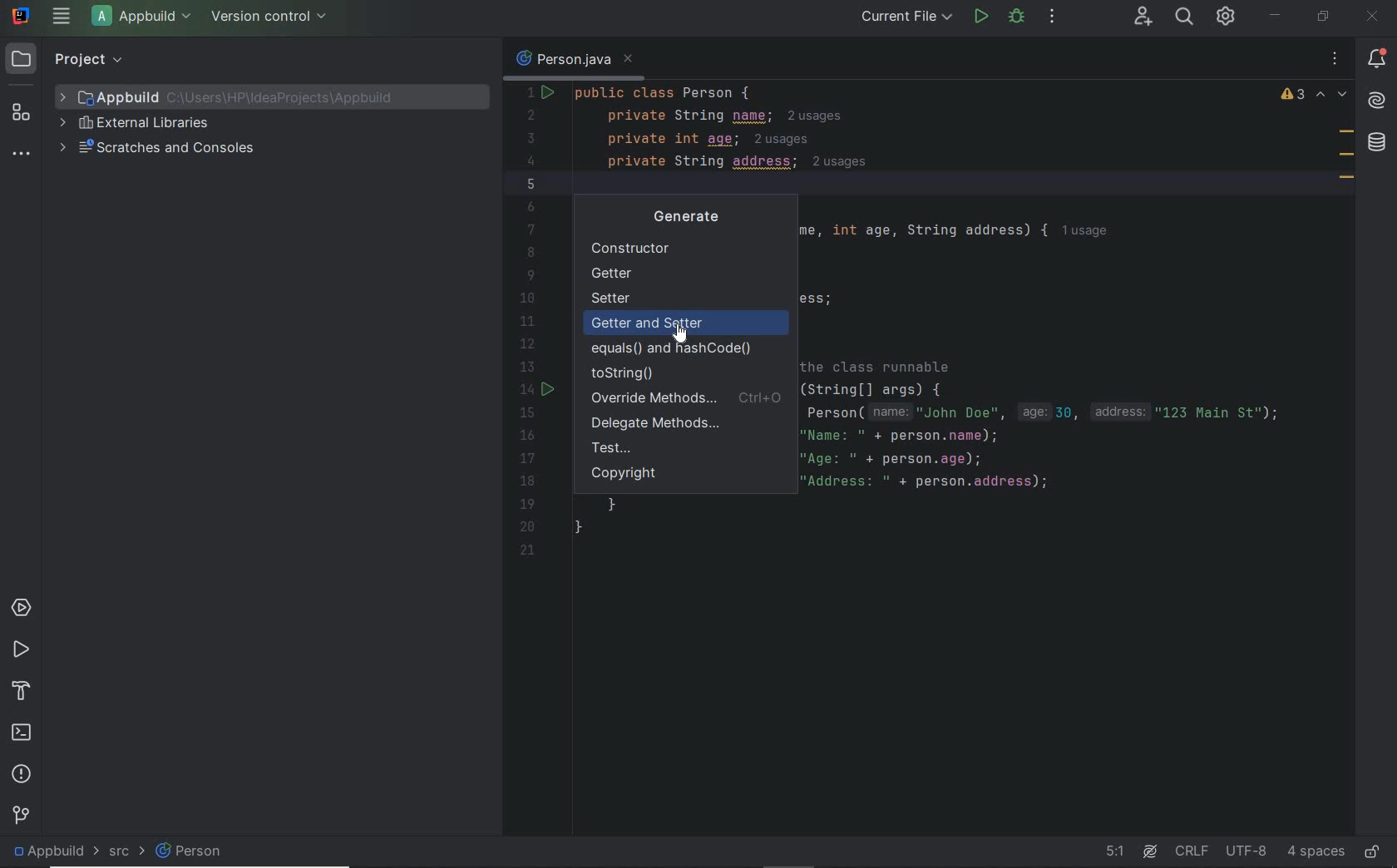  Describe the element at coordinates (22, 730) in the screenshot. I see `terminal` at that location.